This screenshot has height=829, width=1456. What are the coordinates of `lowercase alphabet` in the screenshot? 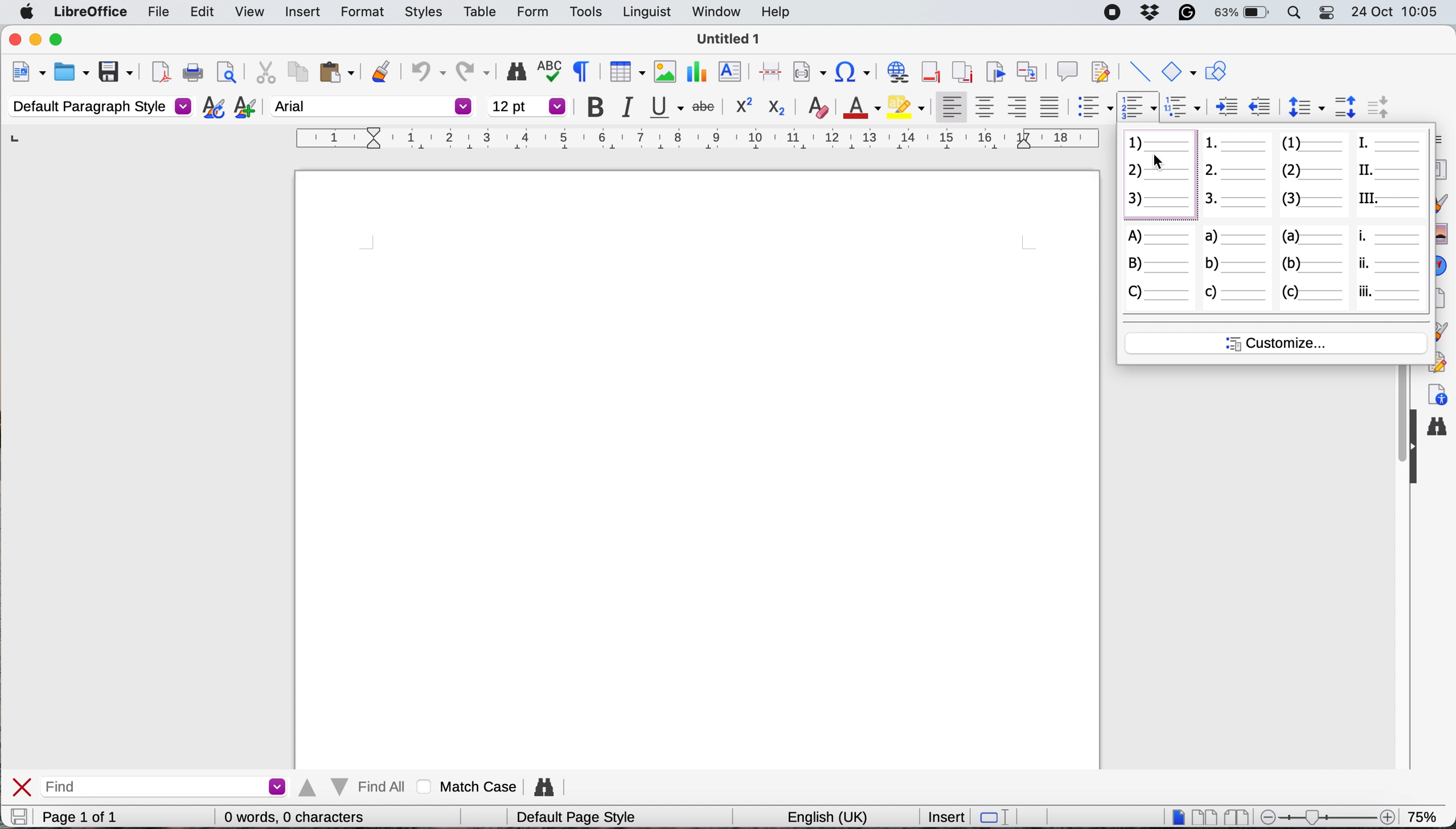 It's located at (1314, 267).